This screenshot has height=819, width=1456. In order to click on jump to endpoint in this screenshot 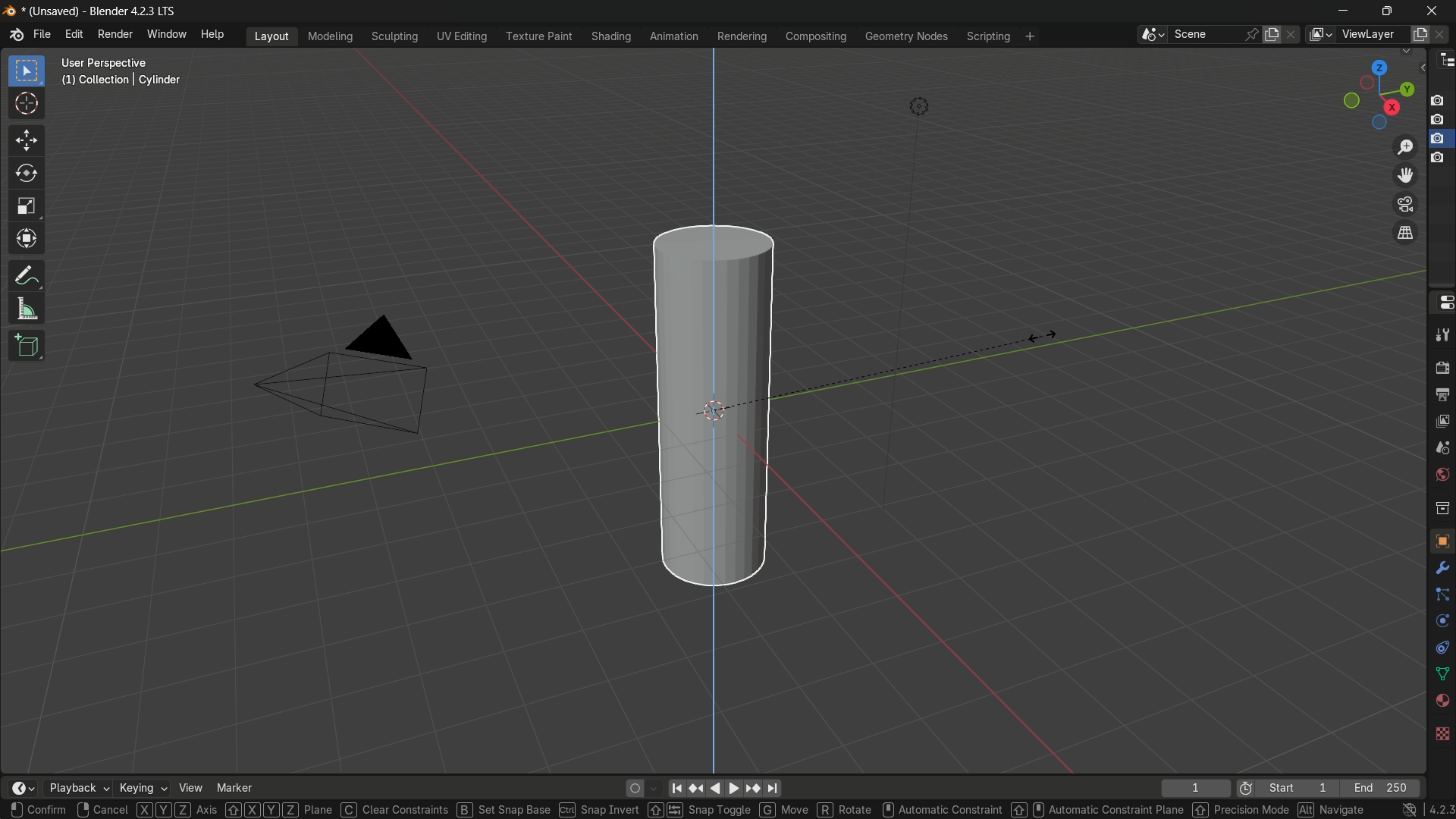, I will do `click(676, 788)`.